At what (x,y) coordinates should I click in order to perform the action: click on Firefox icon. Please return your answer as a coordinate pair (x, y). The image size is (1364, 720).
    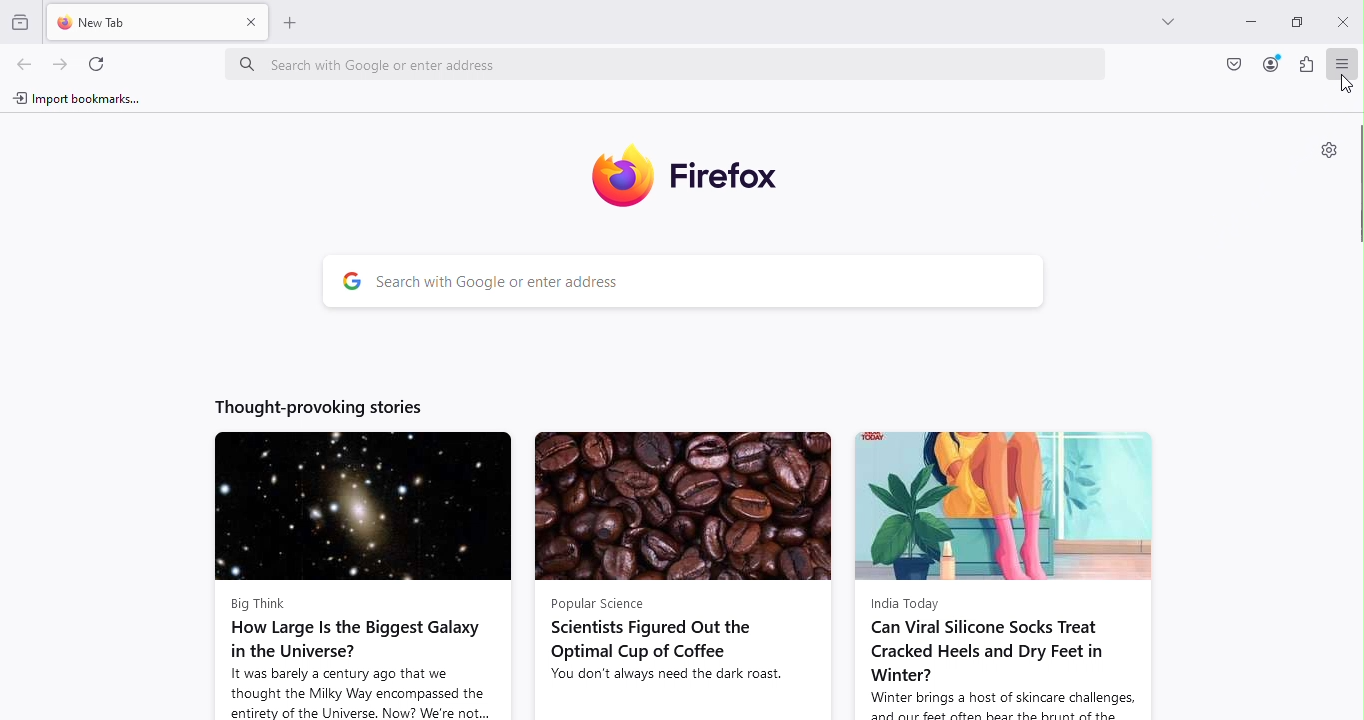
    Looking at the image, I should click on (698, 180).